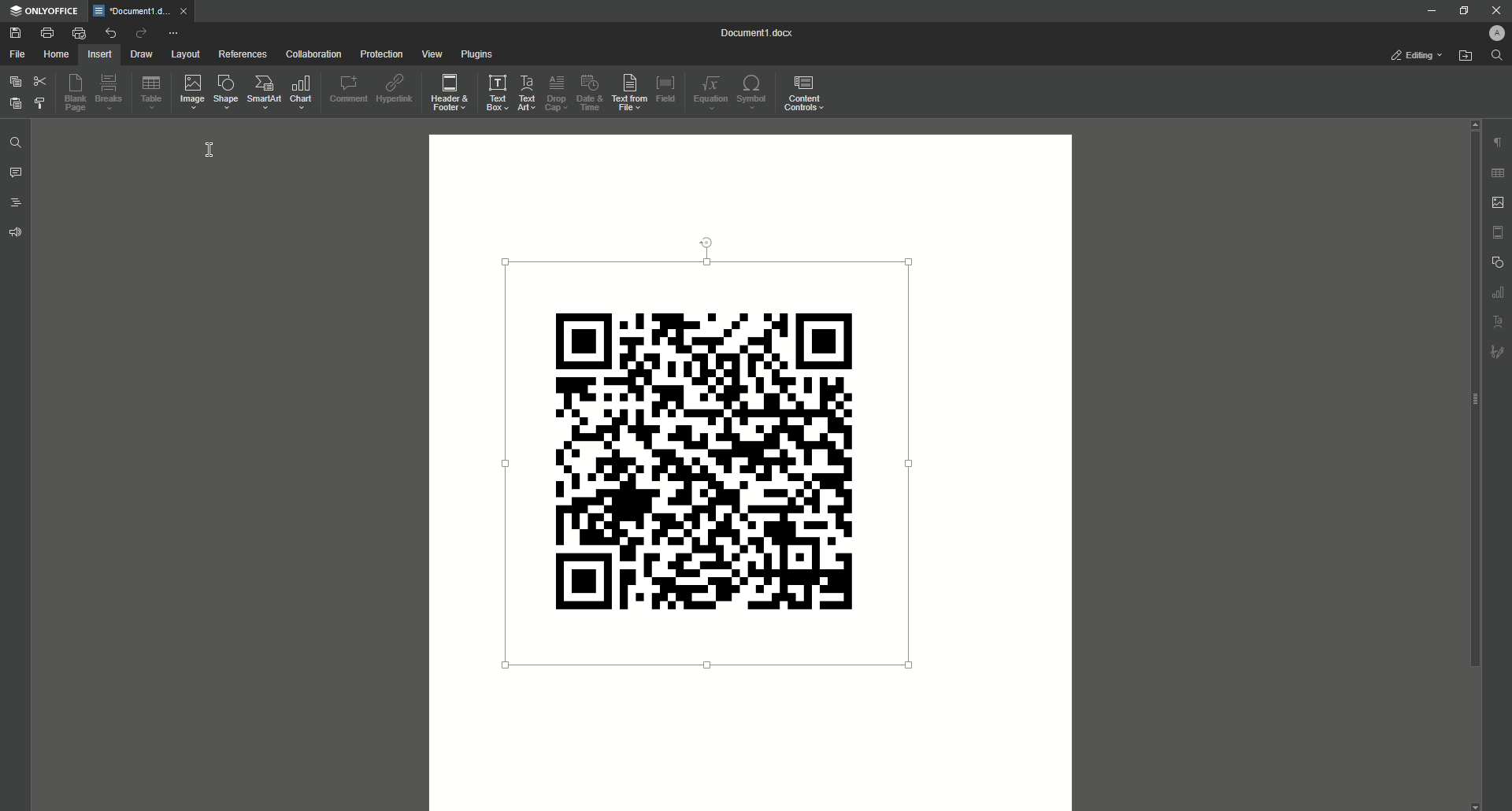  Describe the element at coordinates (40, 81) in the screenshot. I see `Cut` at that location.